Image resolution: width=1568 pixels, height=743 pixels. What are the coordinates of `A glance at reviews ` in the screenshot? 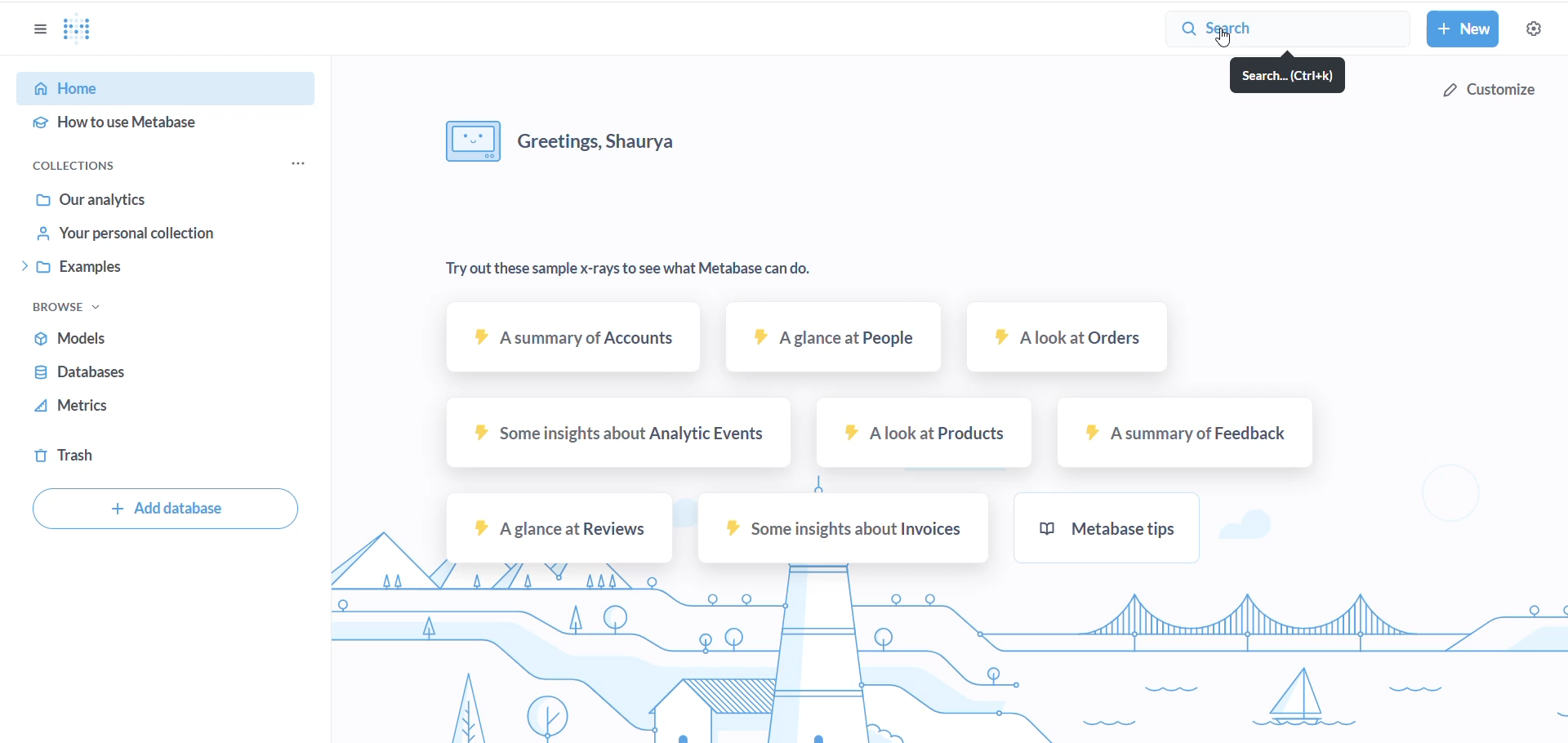 It's located at (559, 528).